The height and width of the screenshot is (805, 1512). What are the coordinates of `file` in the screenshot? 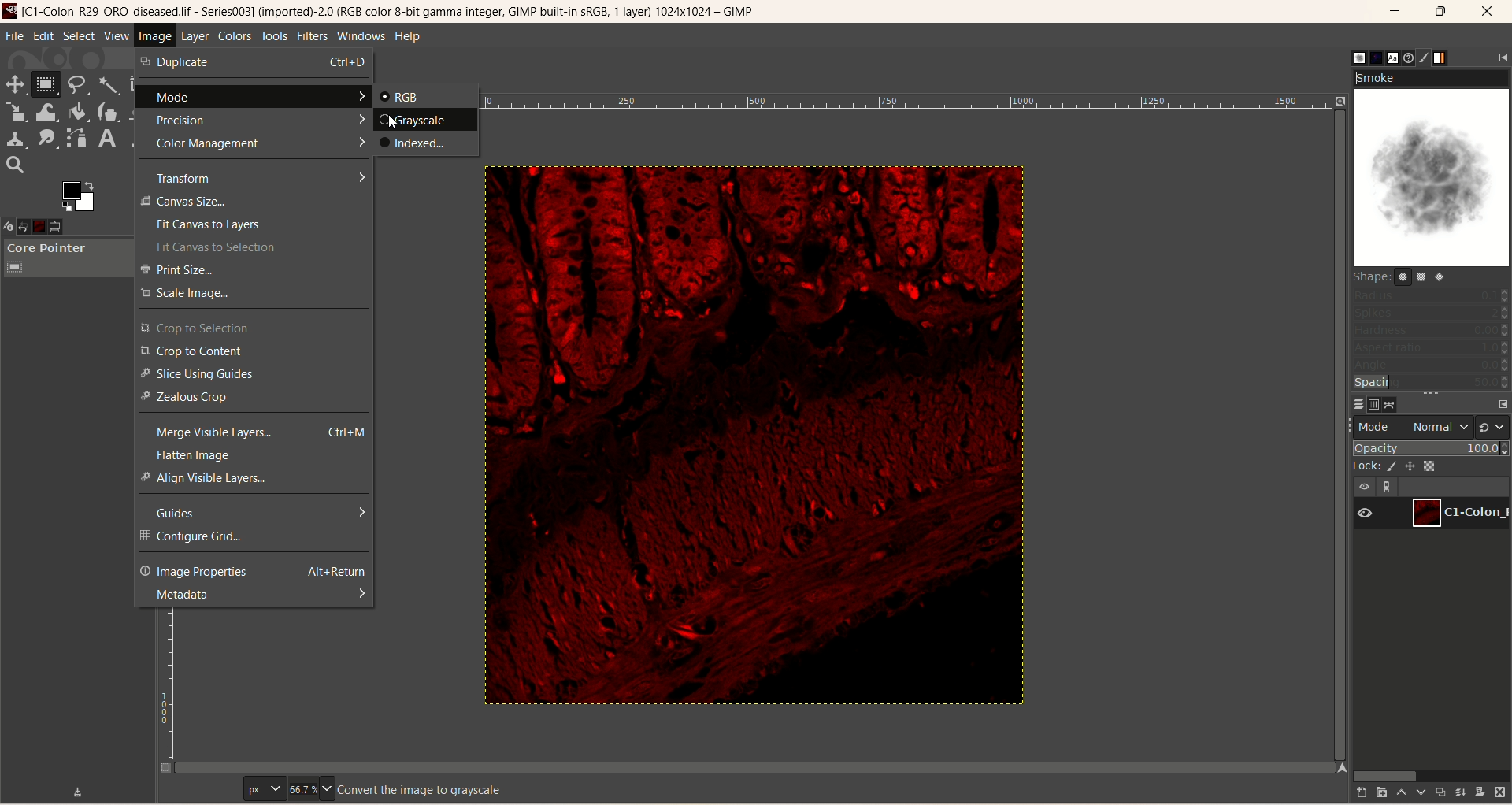 It's located at (14, 35).